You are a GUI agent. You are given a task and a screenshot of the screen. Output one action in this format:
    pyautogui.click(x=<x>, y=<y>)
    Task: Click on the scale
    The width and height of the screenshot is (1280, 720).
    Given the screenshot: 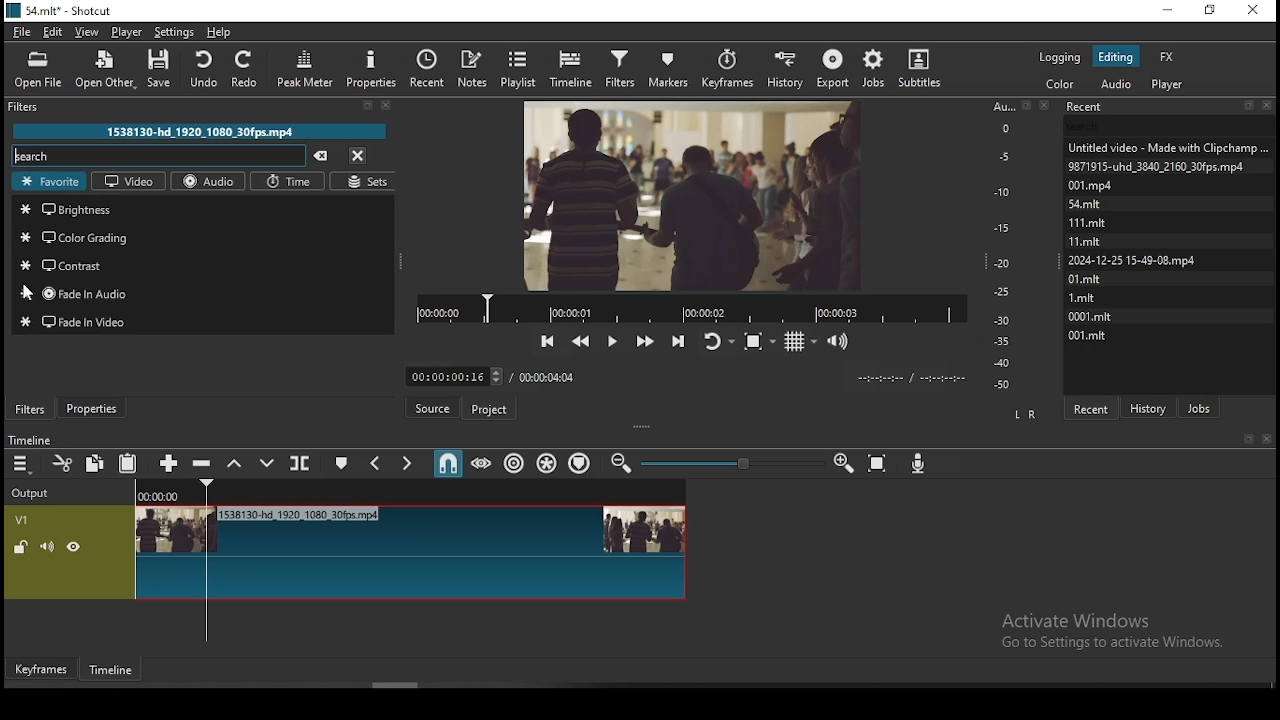 What is the action you would take?
    pyautogui.click(x=1006, y=245)
    